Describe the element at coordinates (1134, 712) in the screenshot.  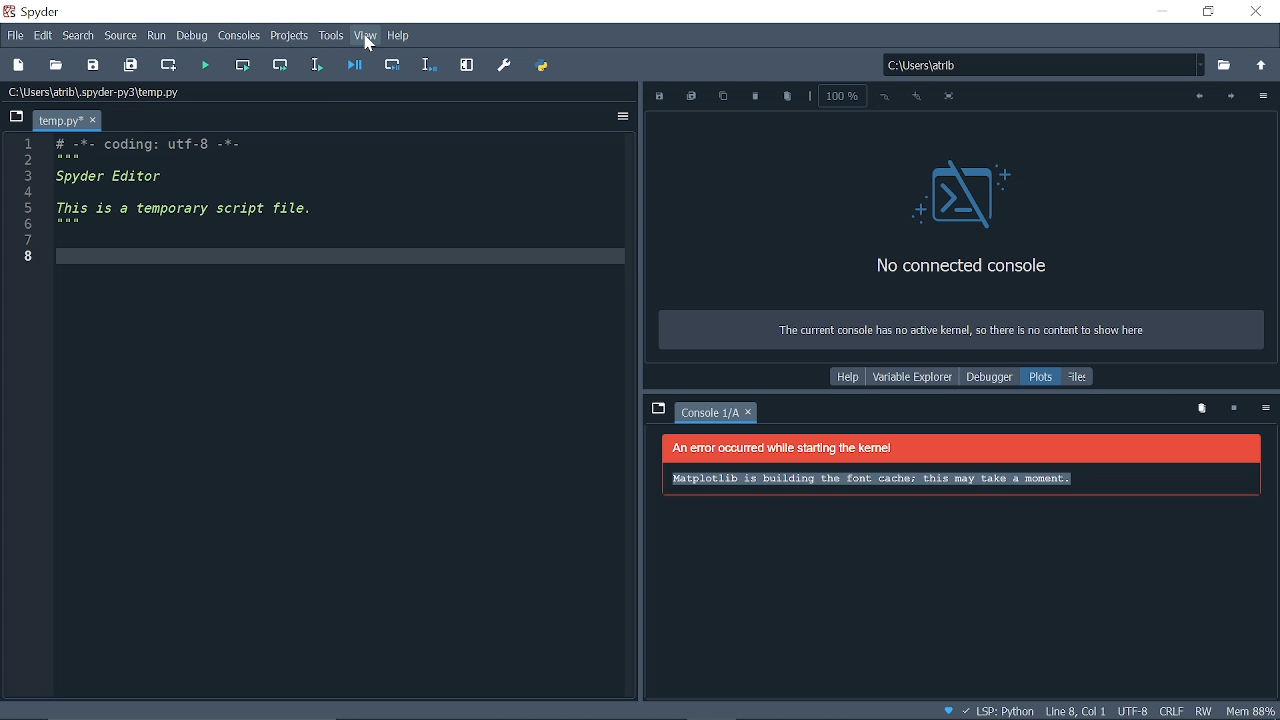
I see `Encoding` at that location.